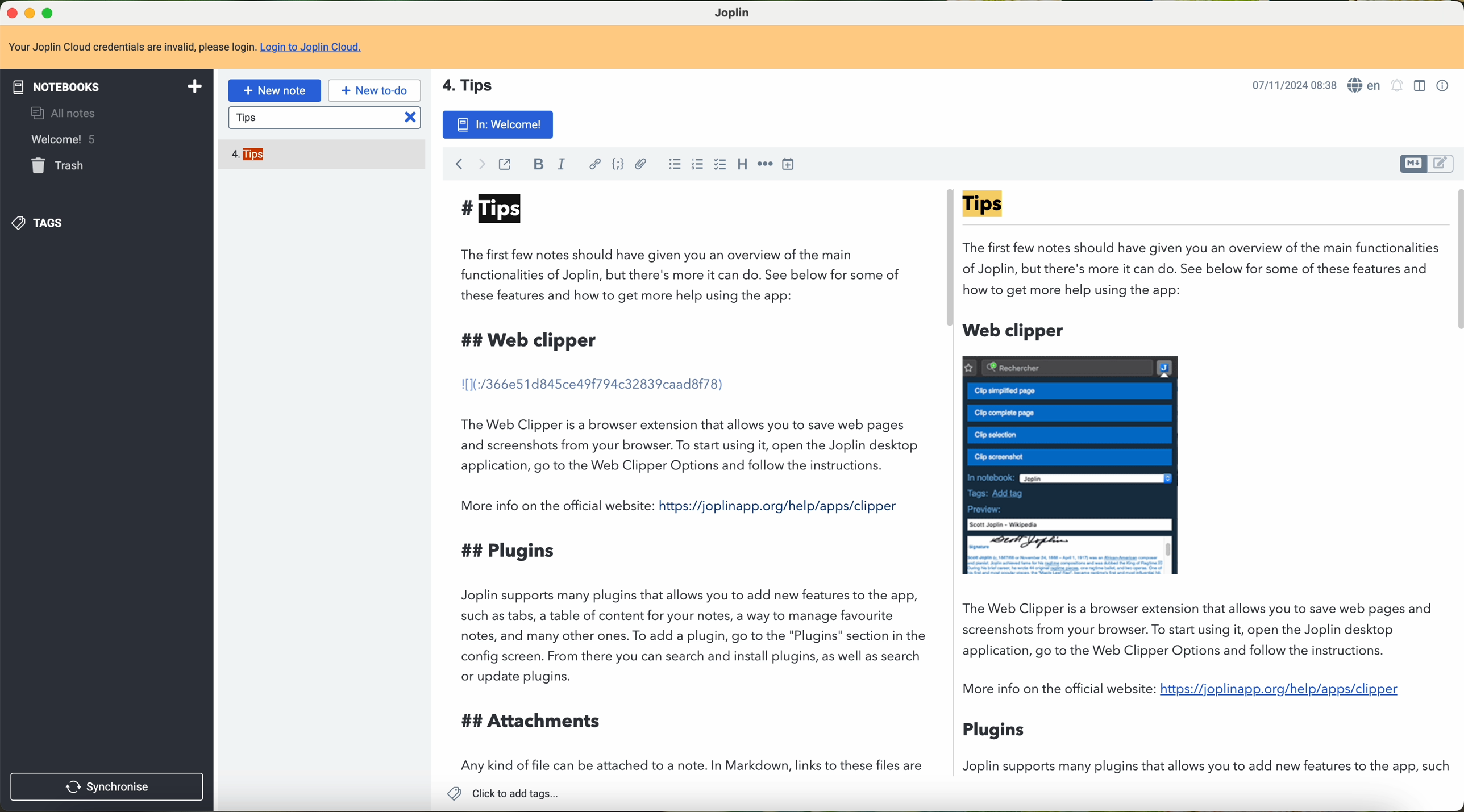 Image resolution: width=1464 pixels, height=812 pixels. What do you see at coordinates (1411, 164) in the screenshot?
I see `toggle editors` at bounding box center [1411, 164].